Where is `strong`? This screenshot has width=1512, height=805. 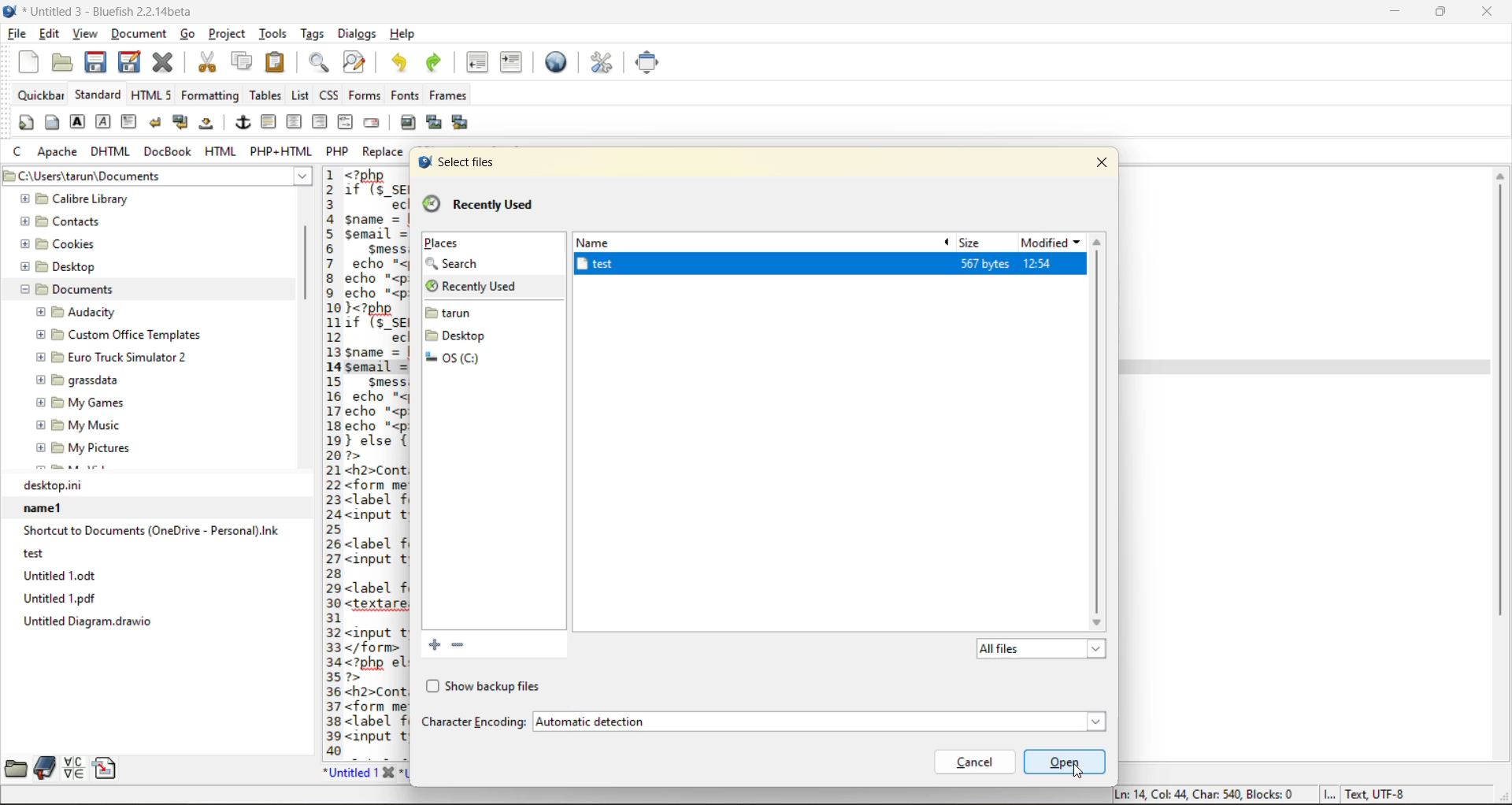
strong is located at coordinates (78, 124).